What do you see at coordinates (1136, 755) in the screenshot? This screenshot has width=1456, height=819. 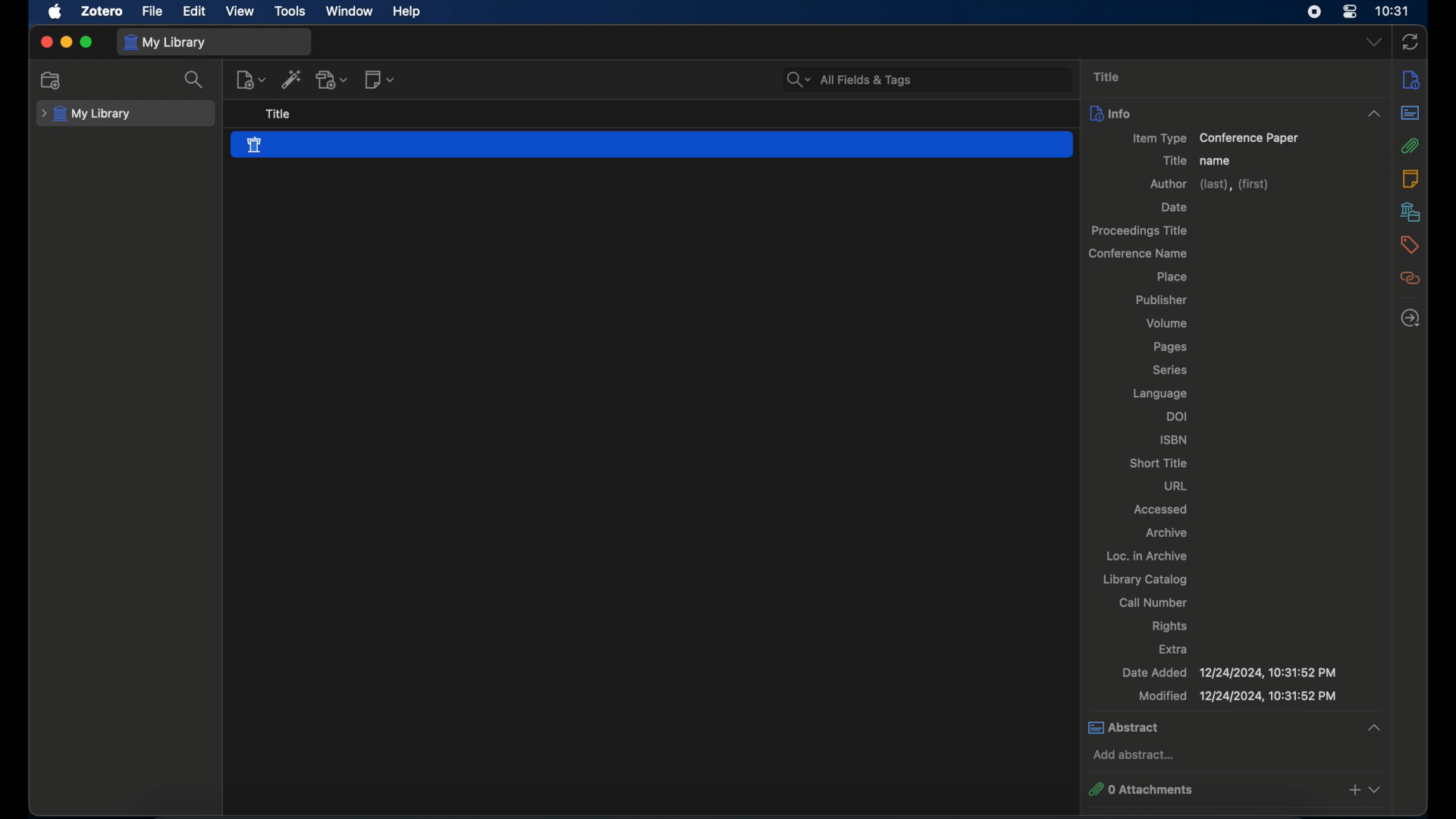 I see `add abstract` at bounding box center [1136, 755].